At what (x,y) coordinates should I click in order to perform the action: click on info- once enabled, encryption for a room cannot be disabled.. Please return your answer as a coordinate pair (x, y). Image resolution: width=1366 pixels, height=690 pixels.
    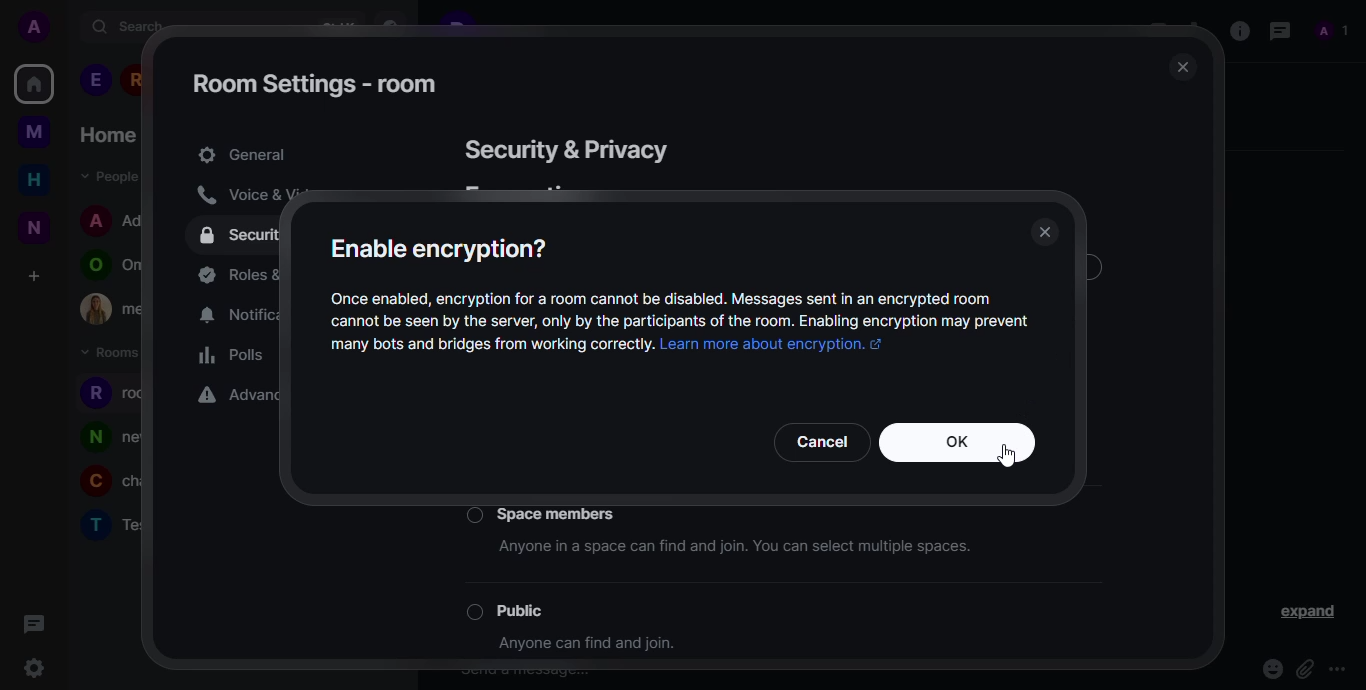
    Looking at the image, I should click on (681, 309).